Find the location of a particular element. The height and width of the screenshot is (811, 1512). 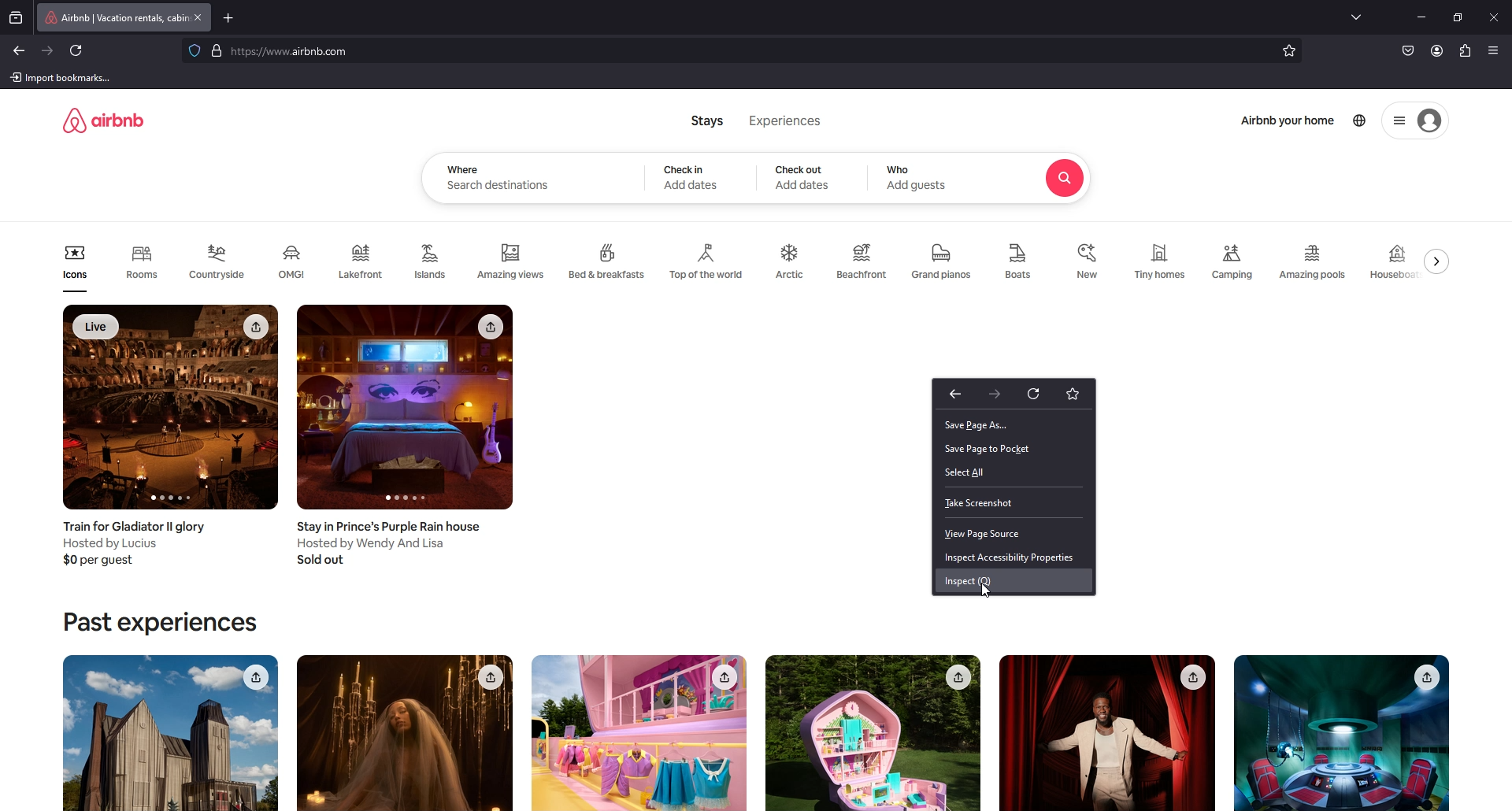

Experiences  is located at coordinates (786, 120).